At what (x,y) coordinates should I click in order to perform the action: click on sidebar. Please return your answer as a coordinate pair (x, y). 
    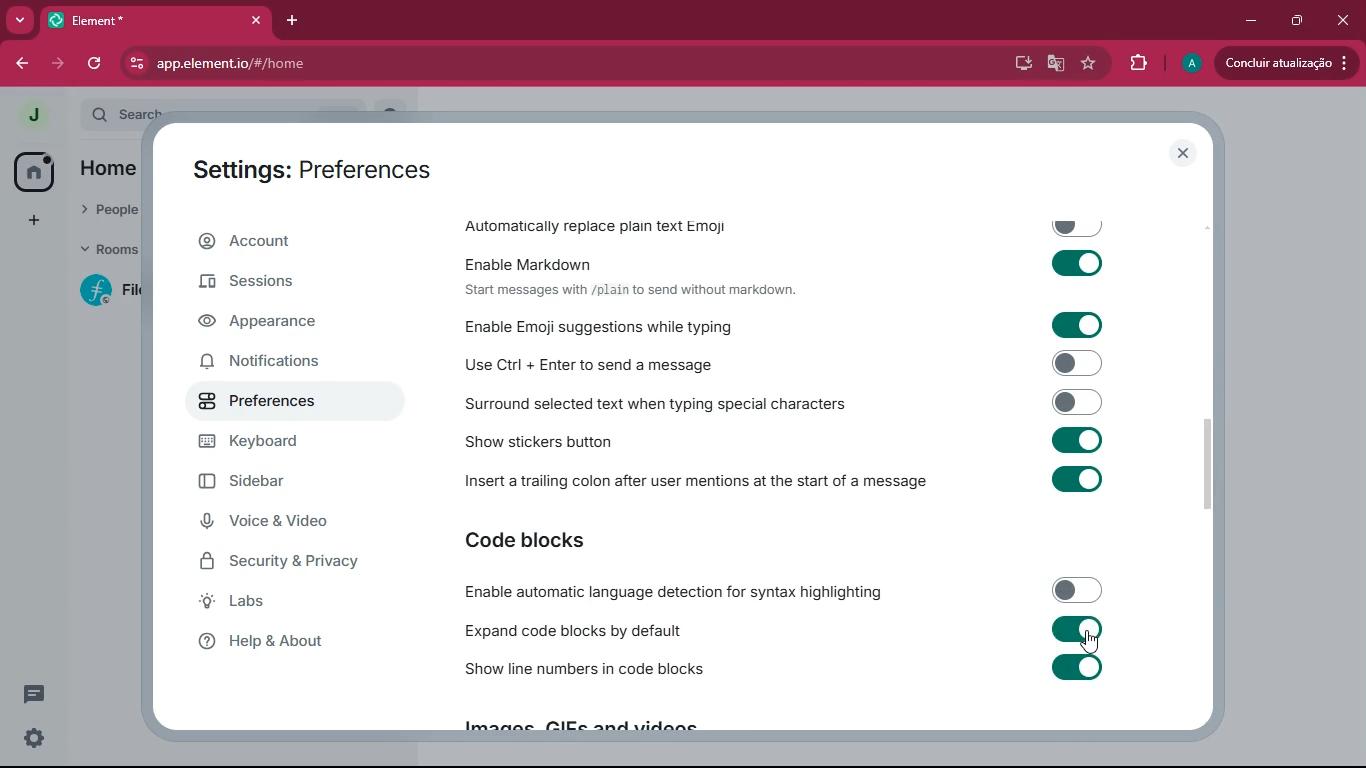
    Looking at the image, I should click on (278, 481).